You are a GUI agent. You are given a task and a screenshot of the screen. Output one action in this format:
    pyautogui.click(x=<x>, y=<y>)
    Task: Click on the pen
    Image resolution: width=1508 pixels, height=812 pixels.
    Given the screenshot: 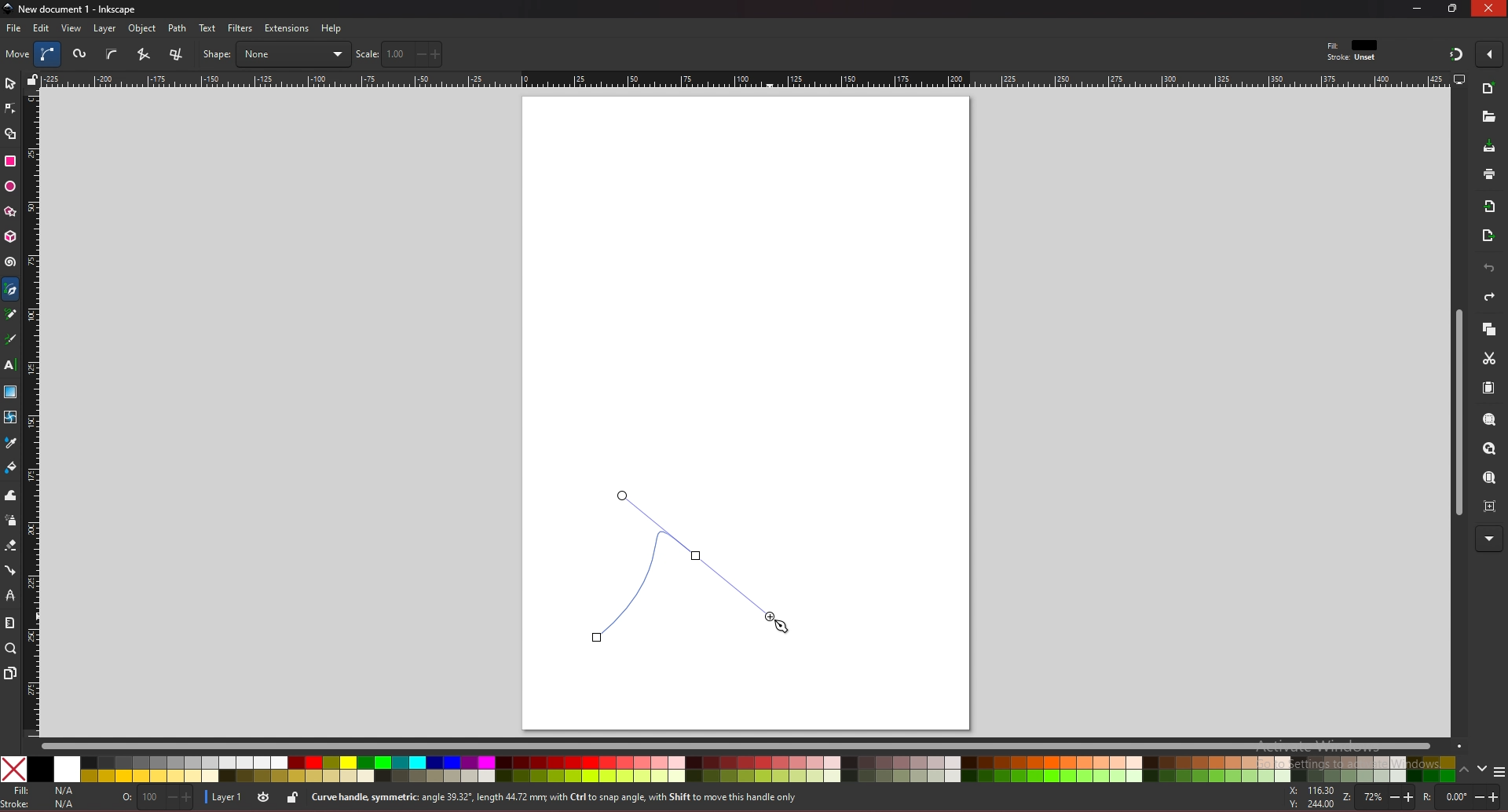 What is the action you would take?
    pyautogui.click(x=13, y=290)
    